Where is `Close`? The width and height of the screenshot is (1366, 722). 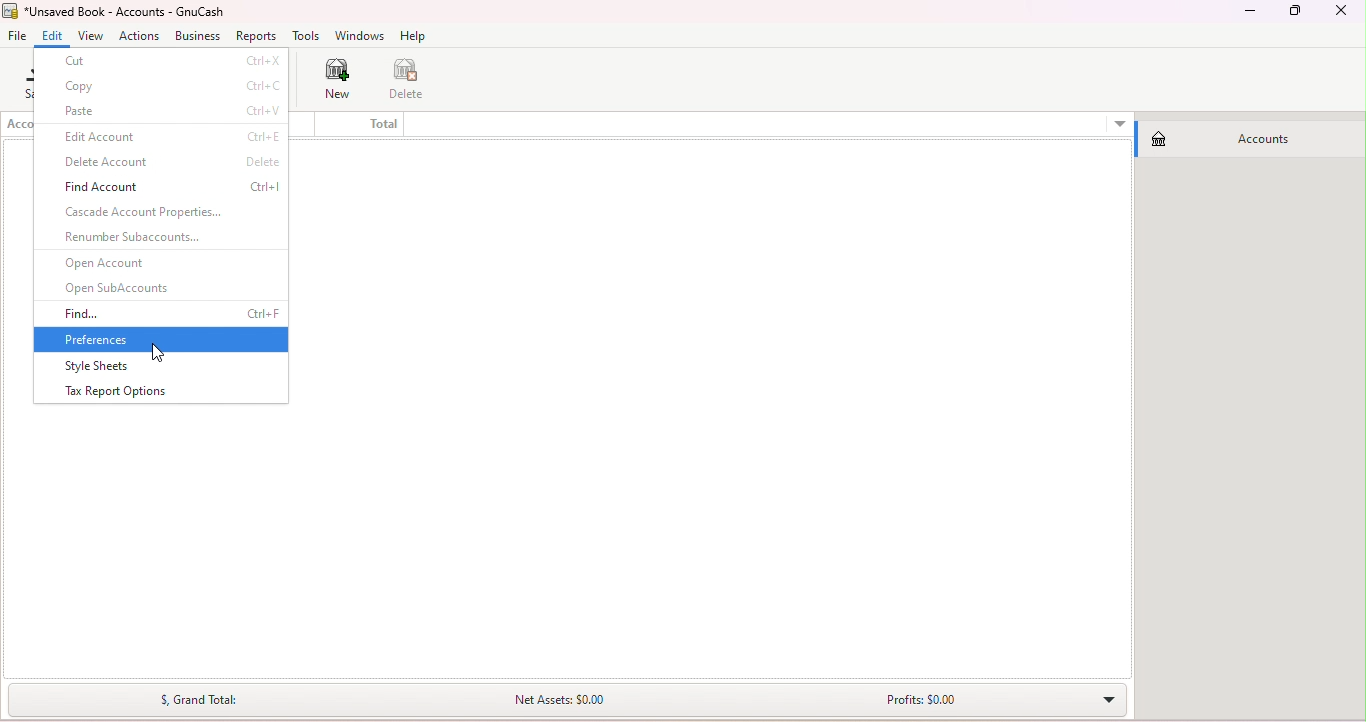 Close is located at coordinates (1341, 13).